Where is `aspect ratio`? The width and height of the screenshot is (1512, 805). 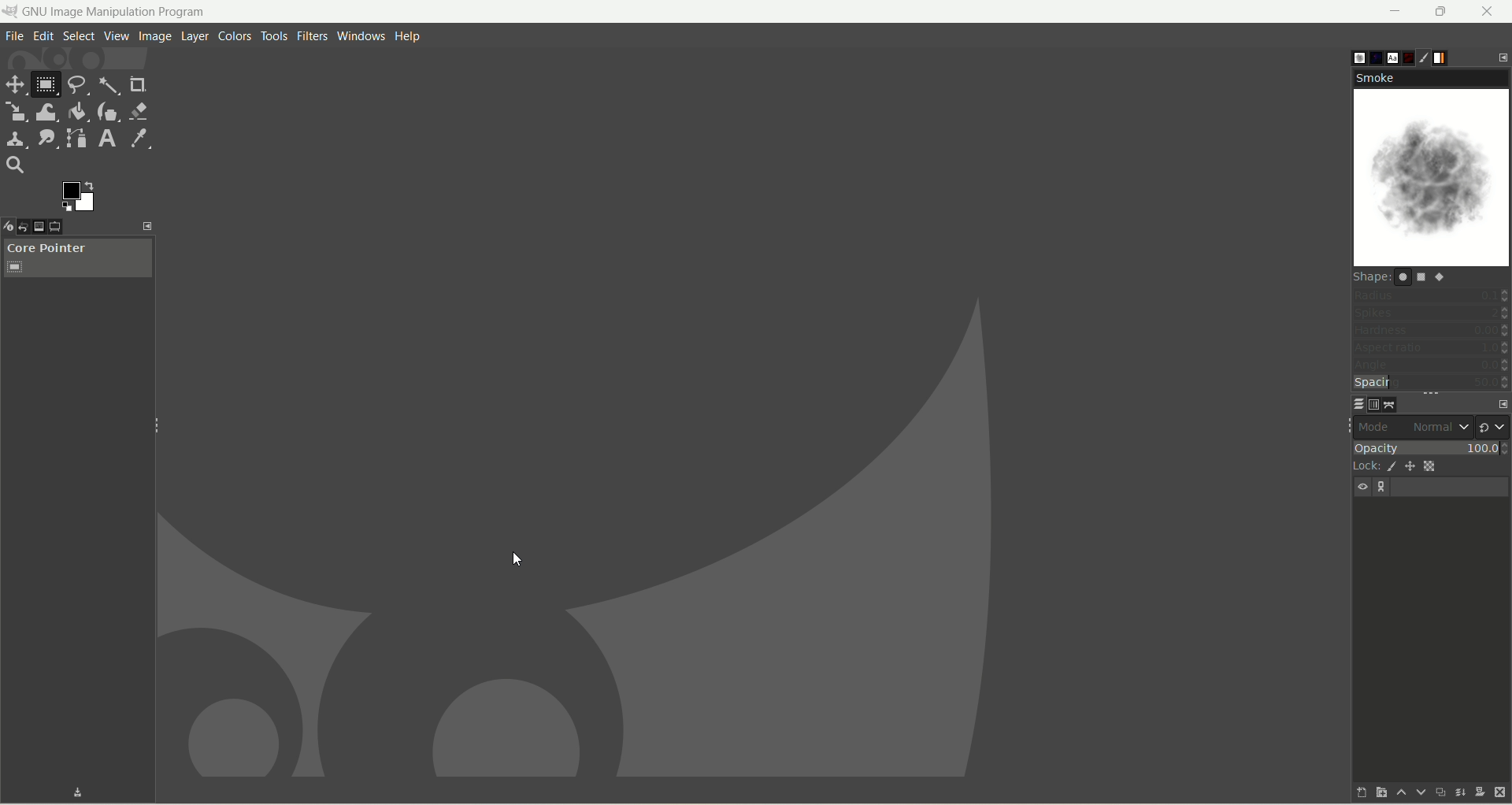 aspect ratio is located at coordinates (1432, 348).